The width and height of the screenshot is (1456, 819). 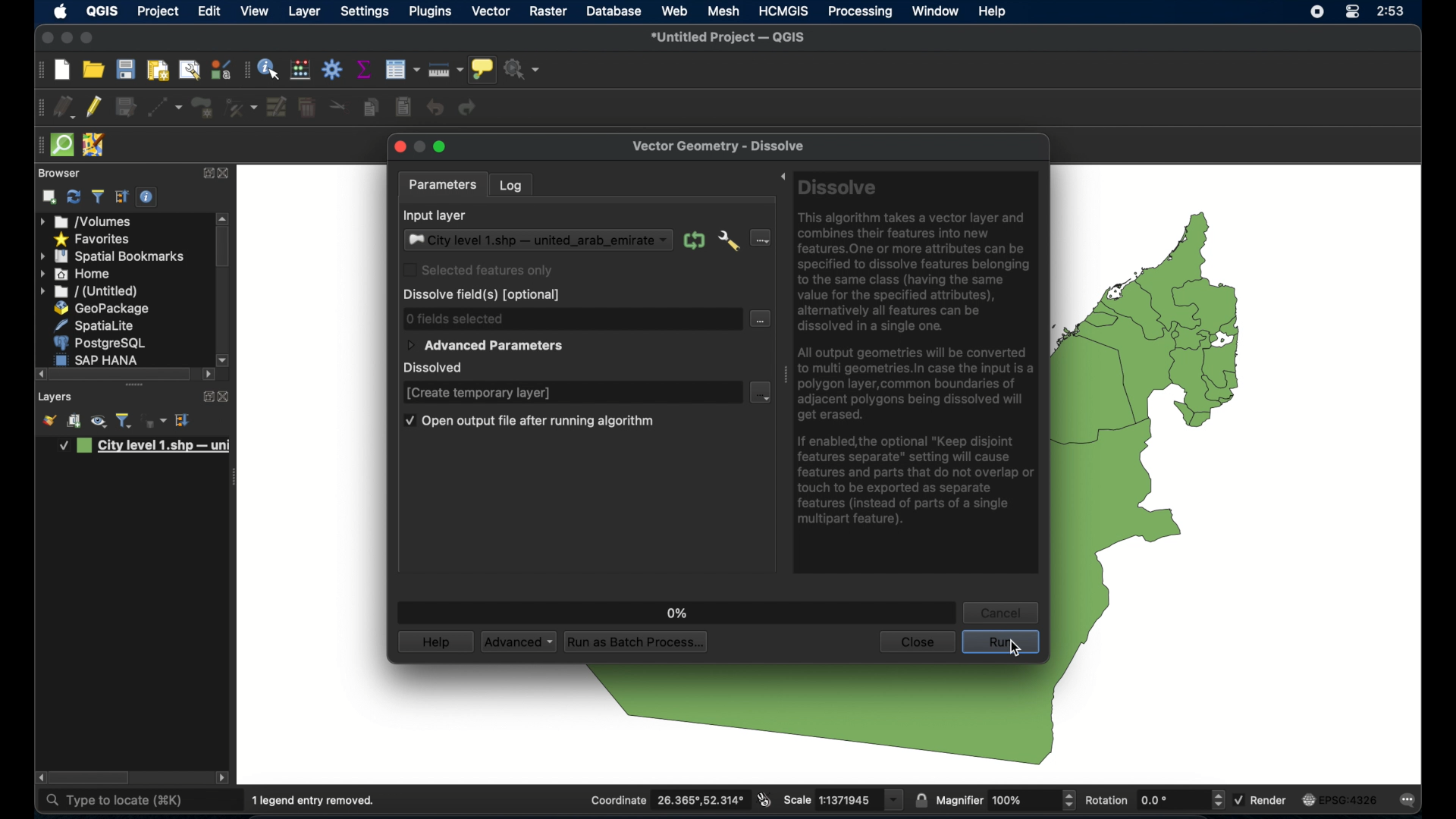 What do you see at coordinates (127, 108) in the screenshot?
I see `save edits` at bounding box center [127, 108].